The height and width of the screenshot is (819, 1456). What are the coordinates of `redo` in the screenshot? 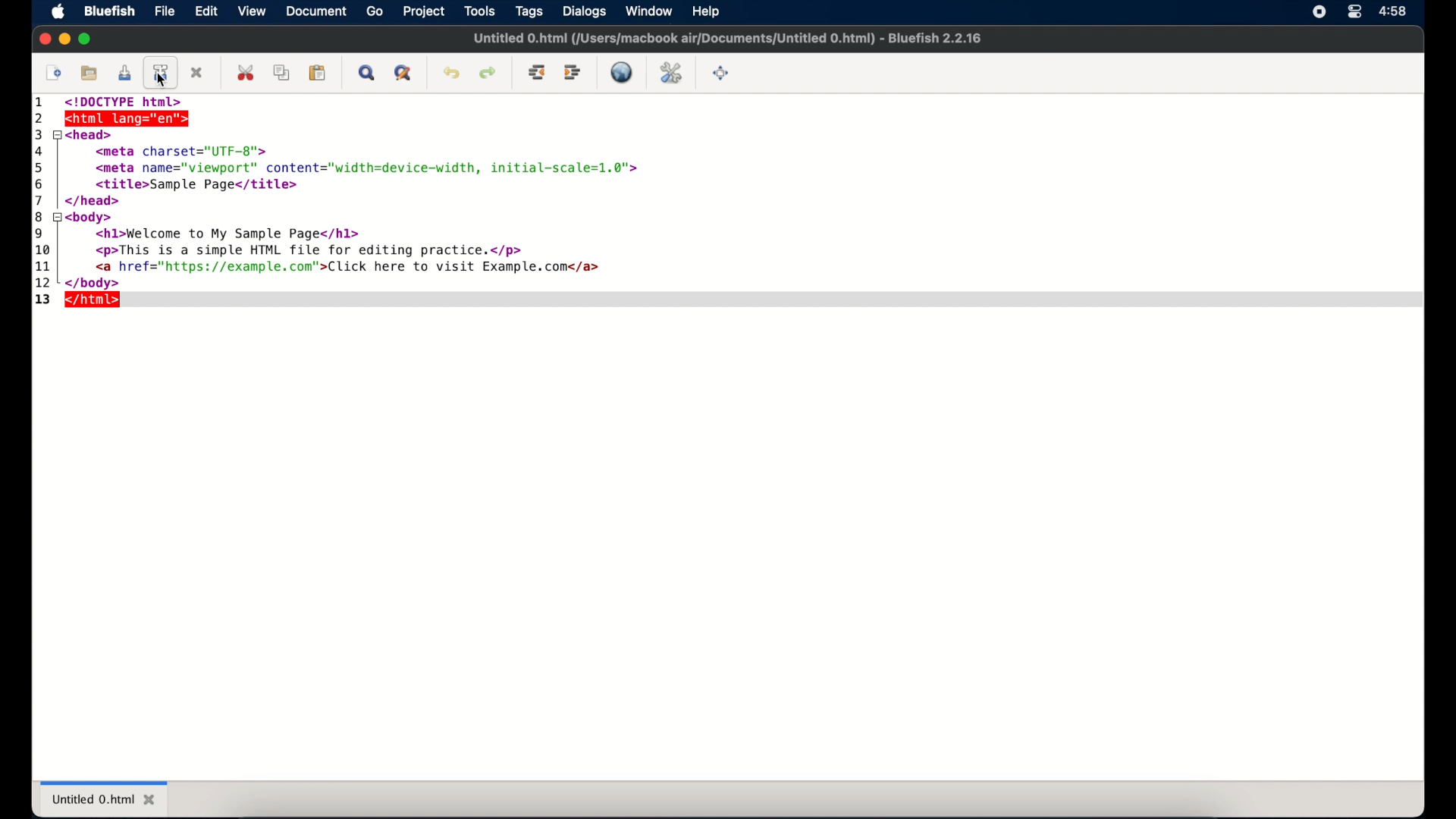 It's located at (488, 73).